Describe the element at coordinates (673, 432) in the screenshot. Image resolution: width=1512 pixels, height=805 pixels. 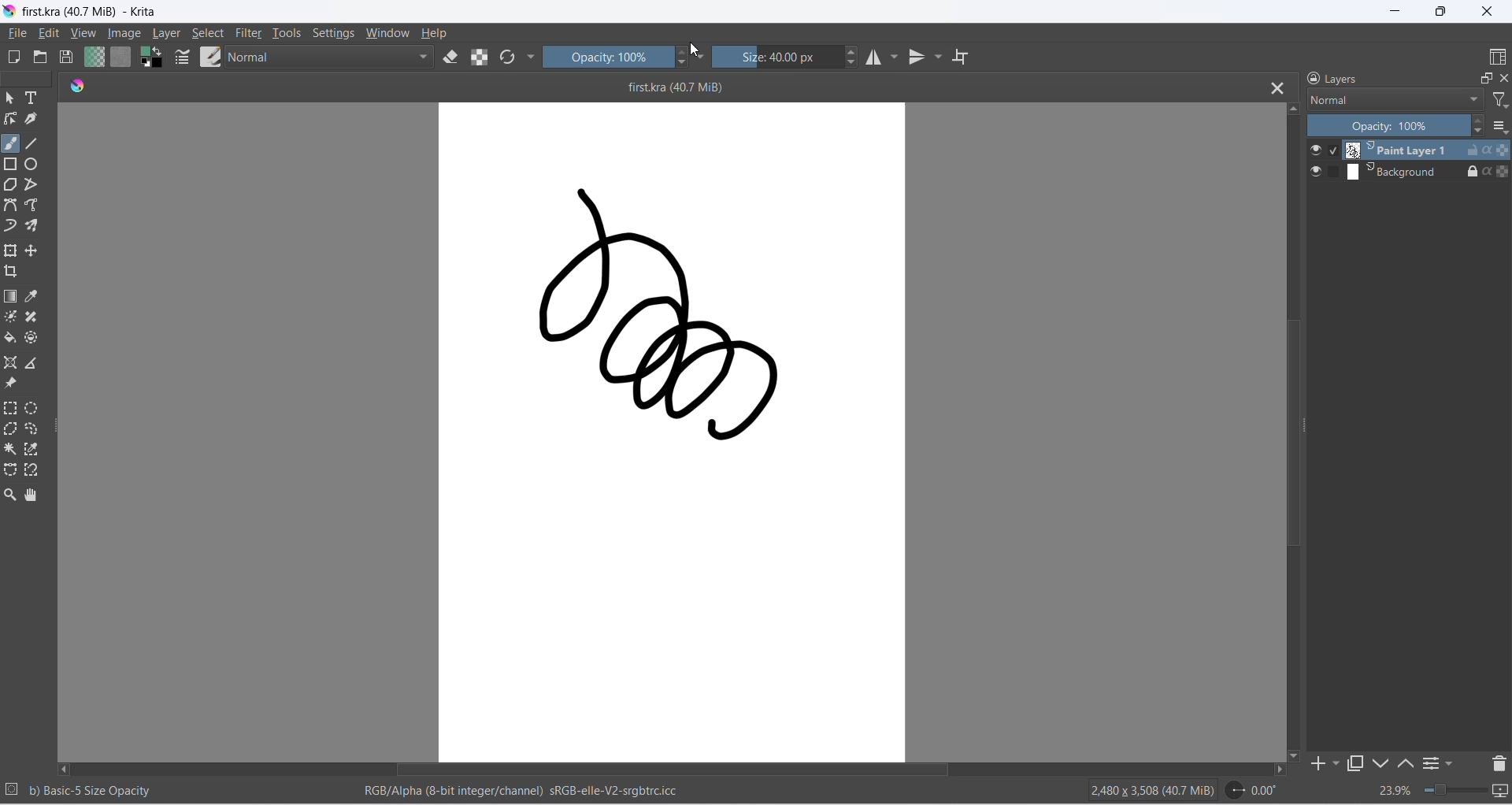
I see `canvas` at that location.